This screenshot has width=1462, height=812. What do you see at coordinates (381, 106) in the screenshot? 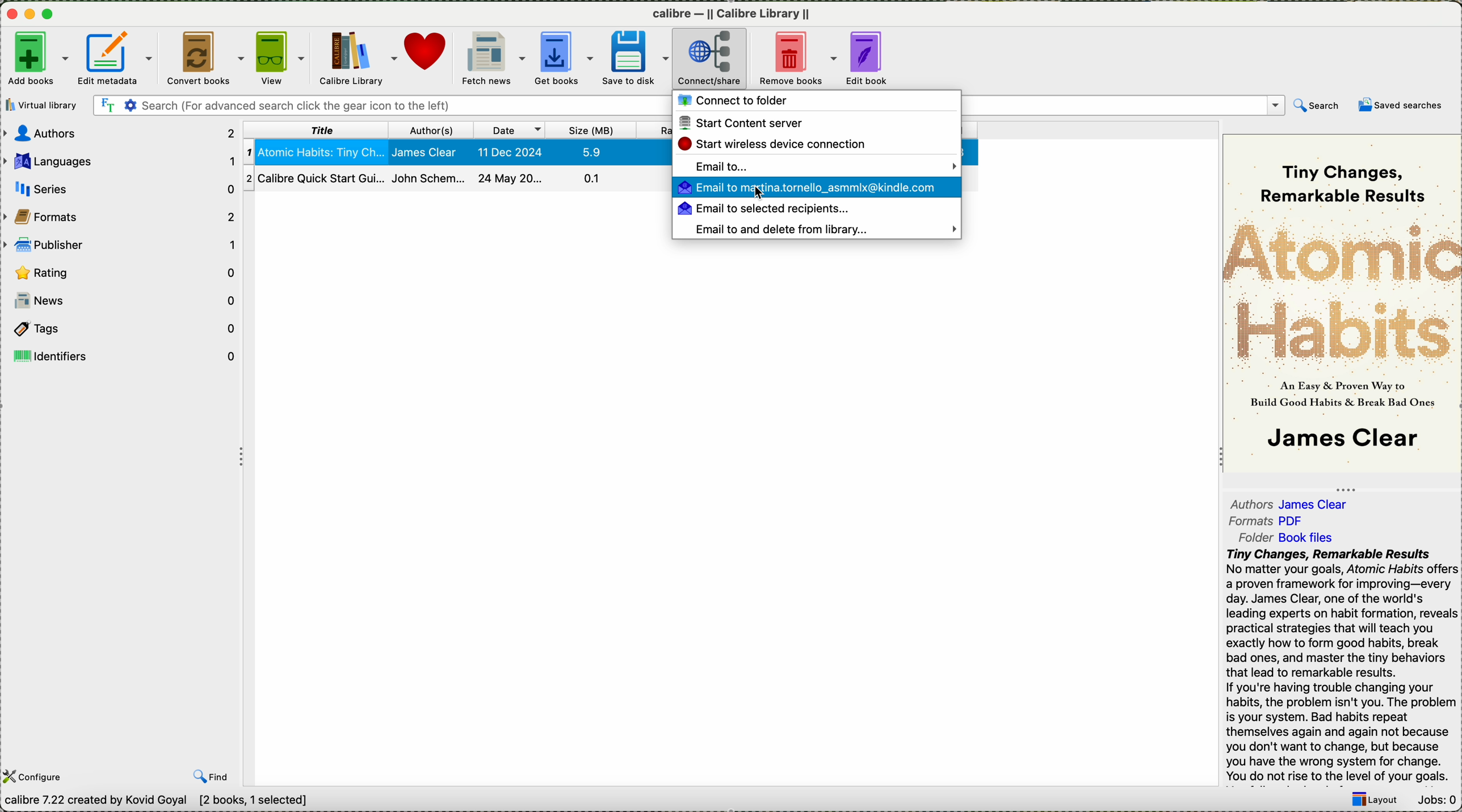
I see `search bar` at bounding box center [381, 106].